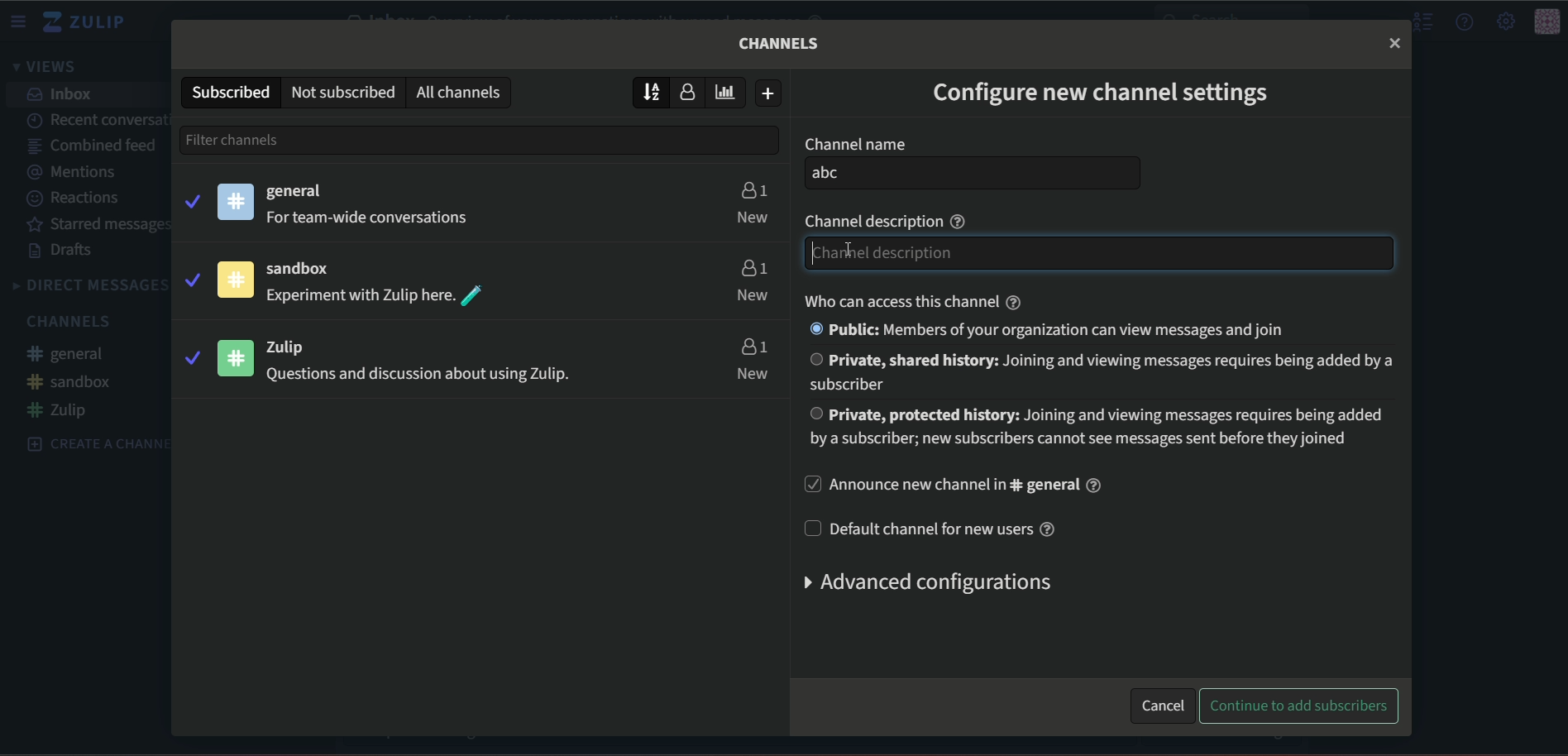 This screenshot has width=1568, height=756. Describe the element at coordinates (1465, 22) in the screenshot. I see `help menu` at that location.